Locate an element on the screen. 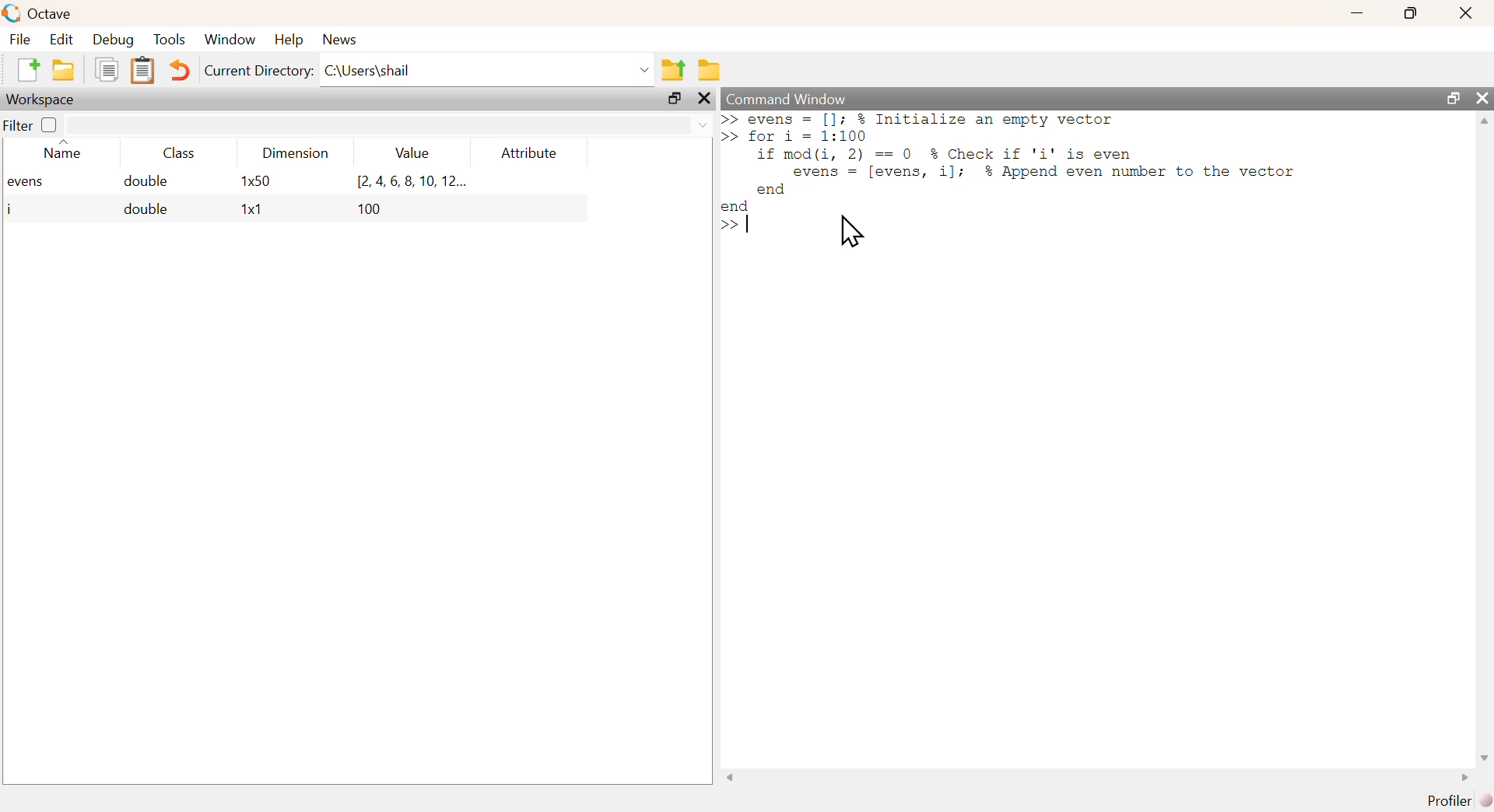  100 is located at coordinates (372, 210).